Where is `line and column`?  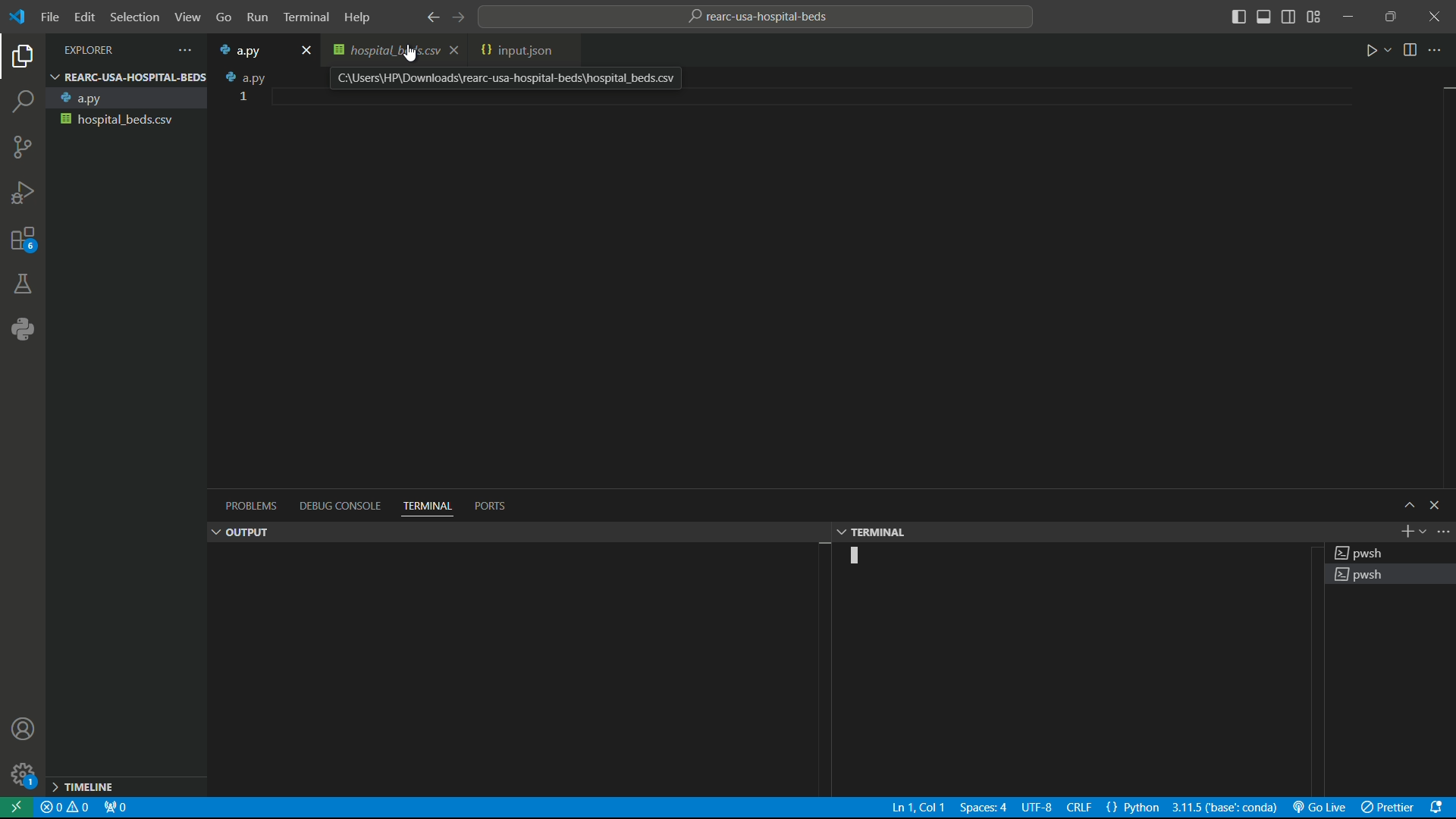
line and column is located at coordinates (913, 809).